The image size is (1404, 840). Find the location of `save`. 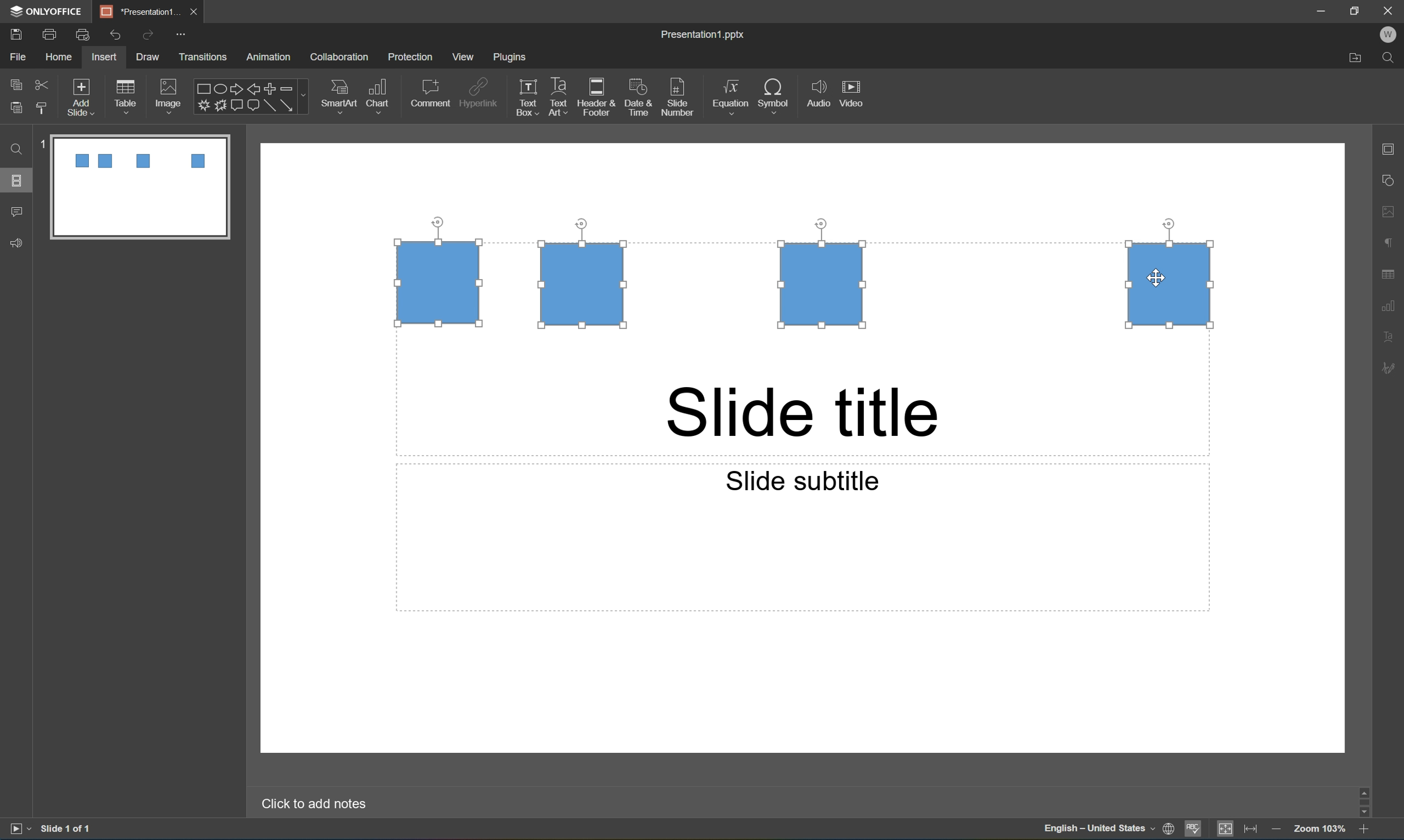

save is located at coordinates (14, 33).